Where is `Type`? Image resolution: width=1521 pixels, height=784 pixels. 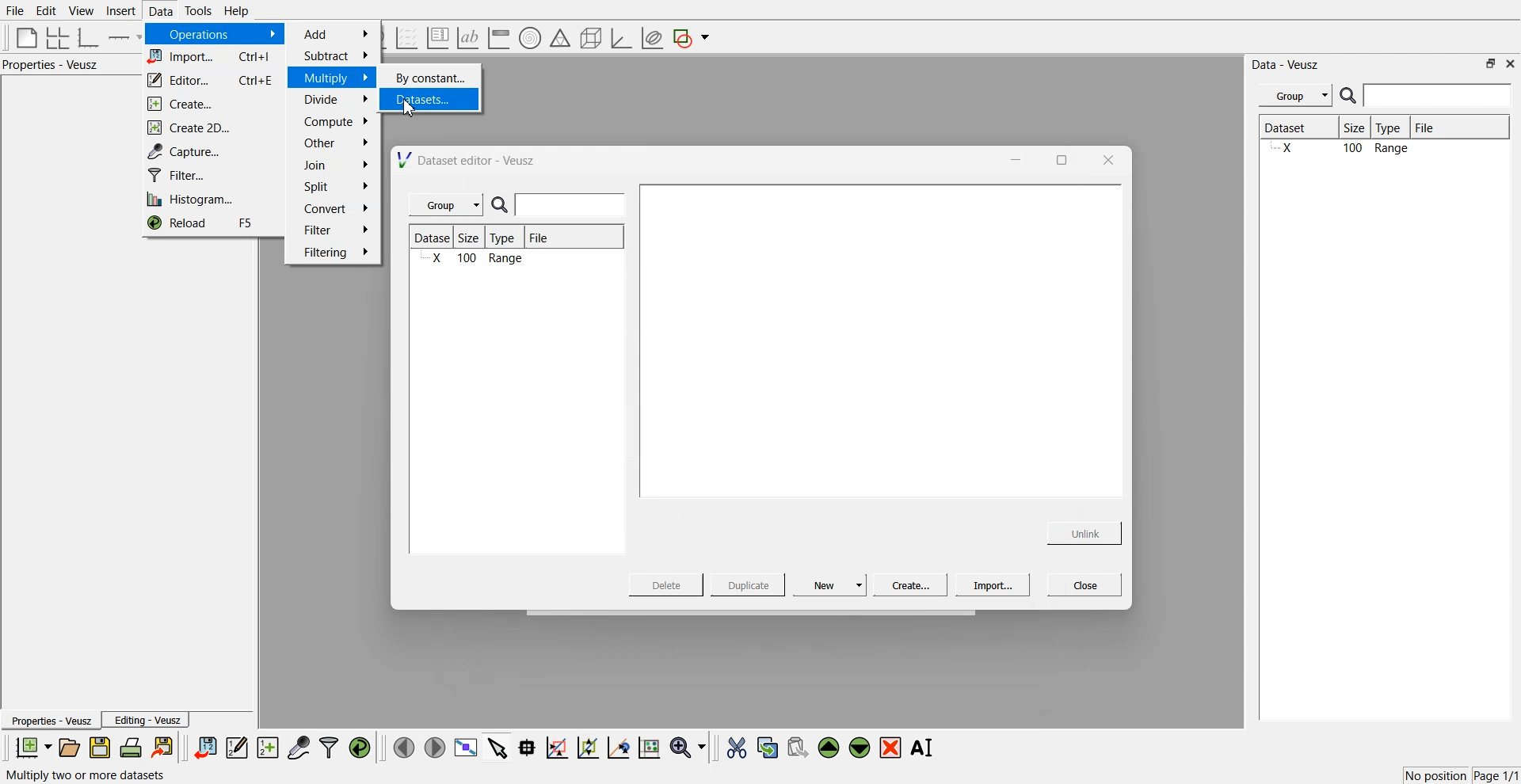
Type is located at coordinates (507, 238).